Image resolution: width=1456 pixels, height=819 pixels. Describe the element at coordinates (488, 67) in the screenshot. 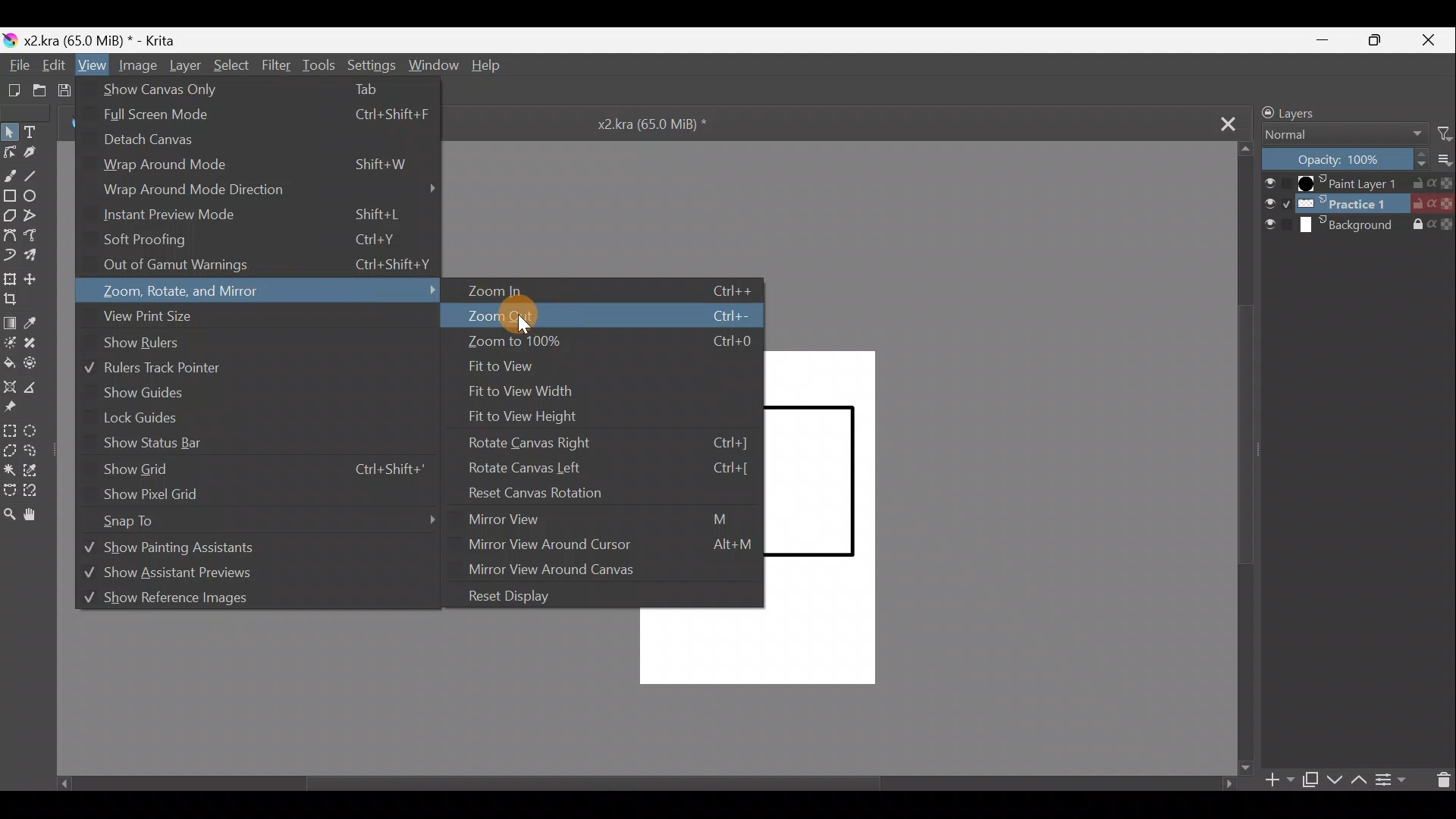

I see `Help` at that location.